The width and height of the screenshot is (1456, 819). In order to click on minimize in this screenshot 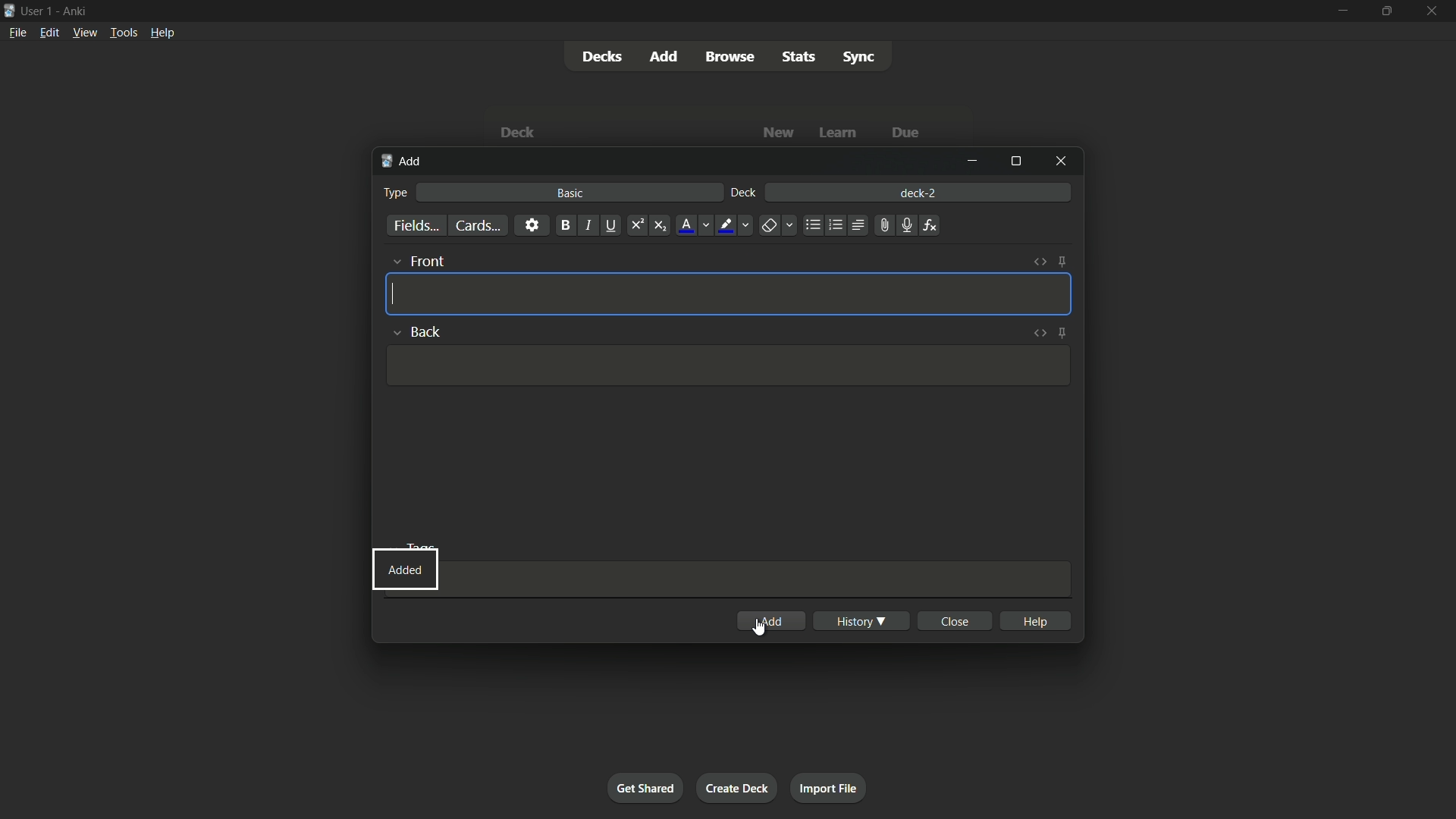, I will do `click(1345, 10)`.